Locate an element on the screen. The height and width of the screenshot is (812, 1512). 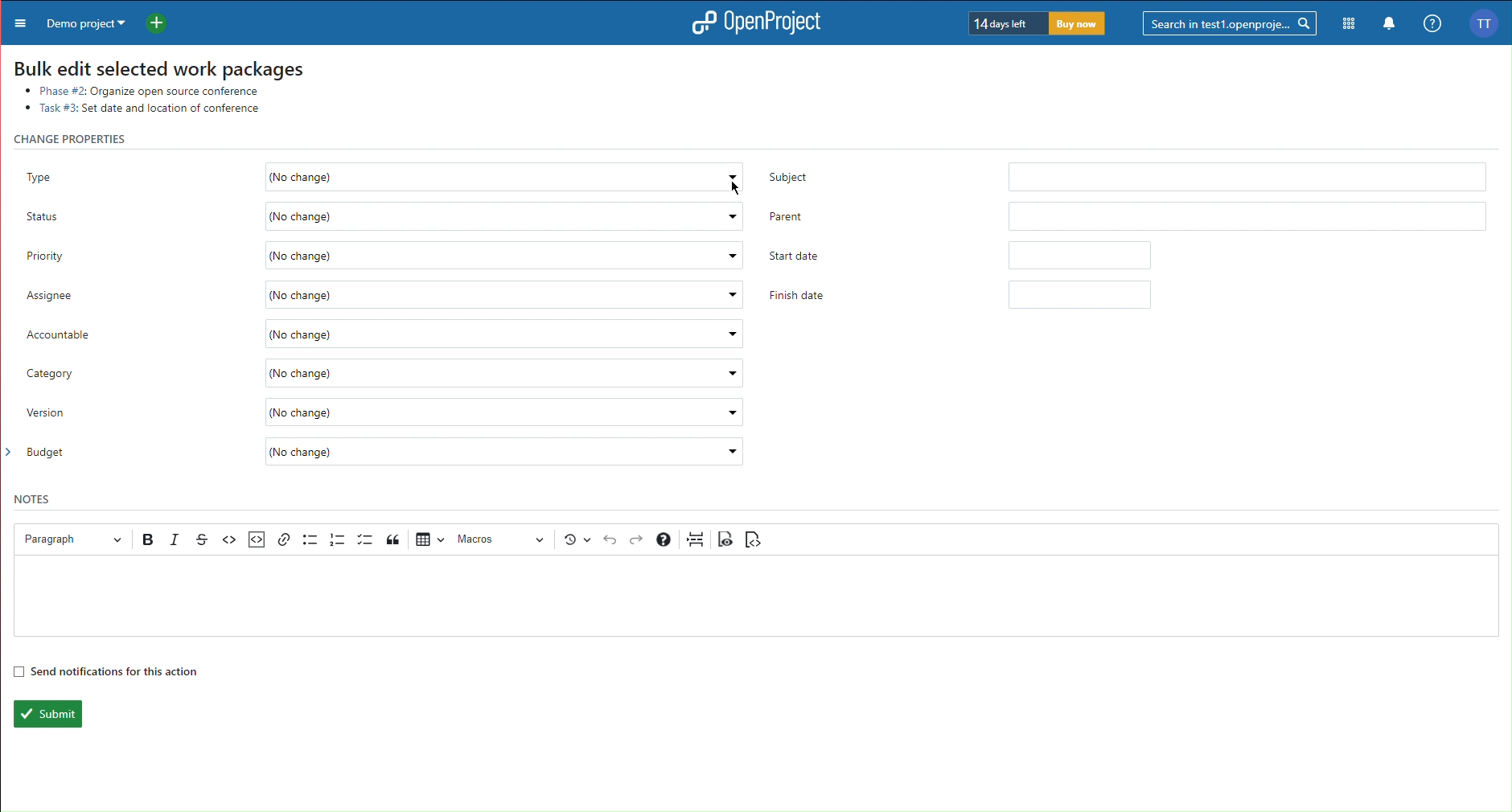
Page View is located at coordinates (726, 539).